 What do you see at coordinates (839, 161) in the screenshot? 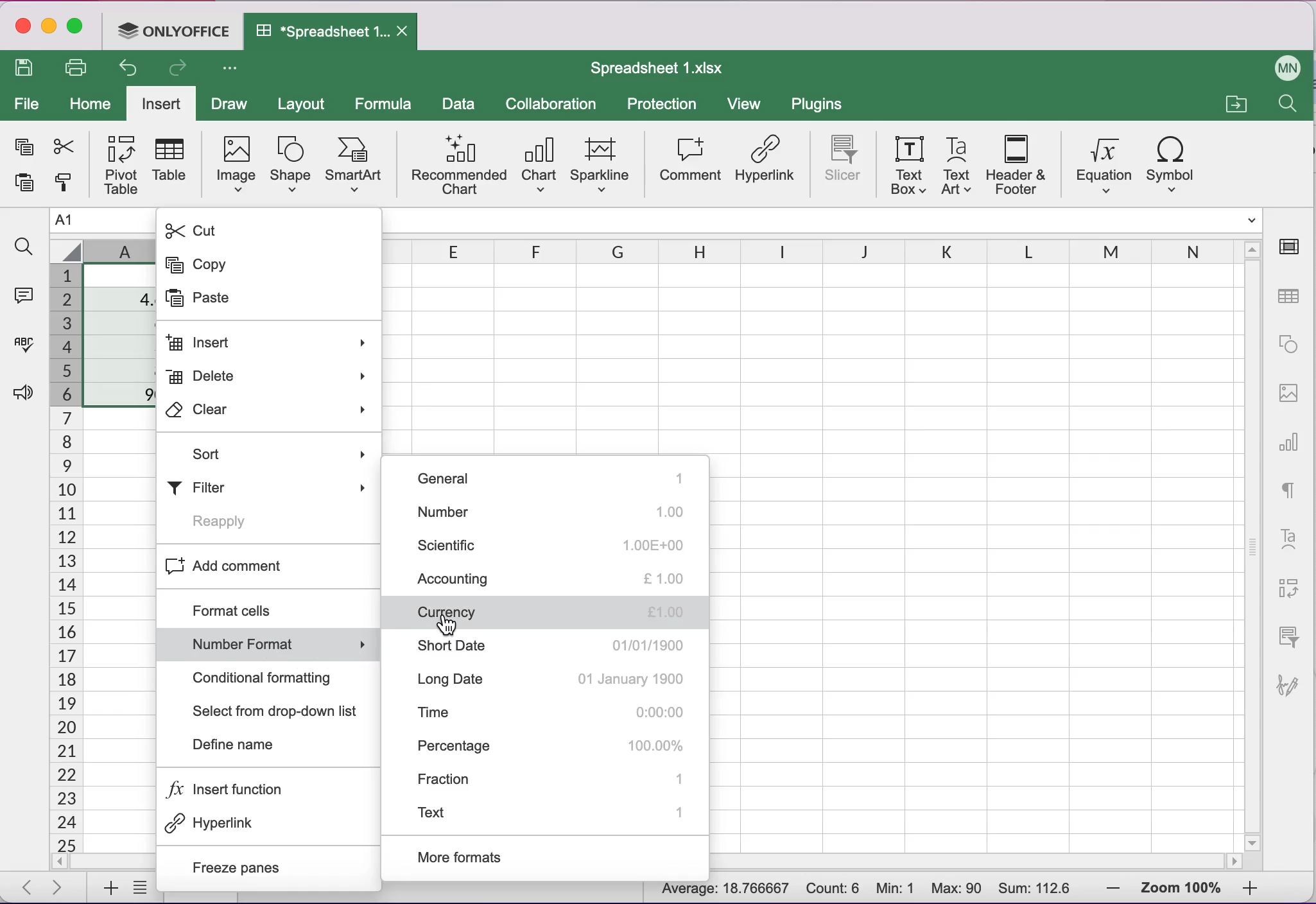
I see `slicer` at bounding box center [839, 161].